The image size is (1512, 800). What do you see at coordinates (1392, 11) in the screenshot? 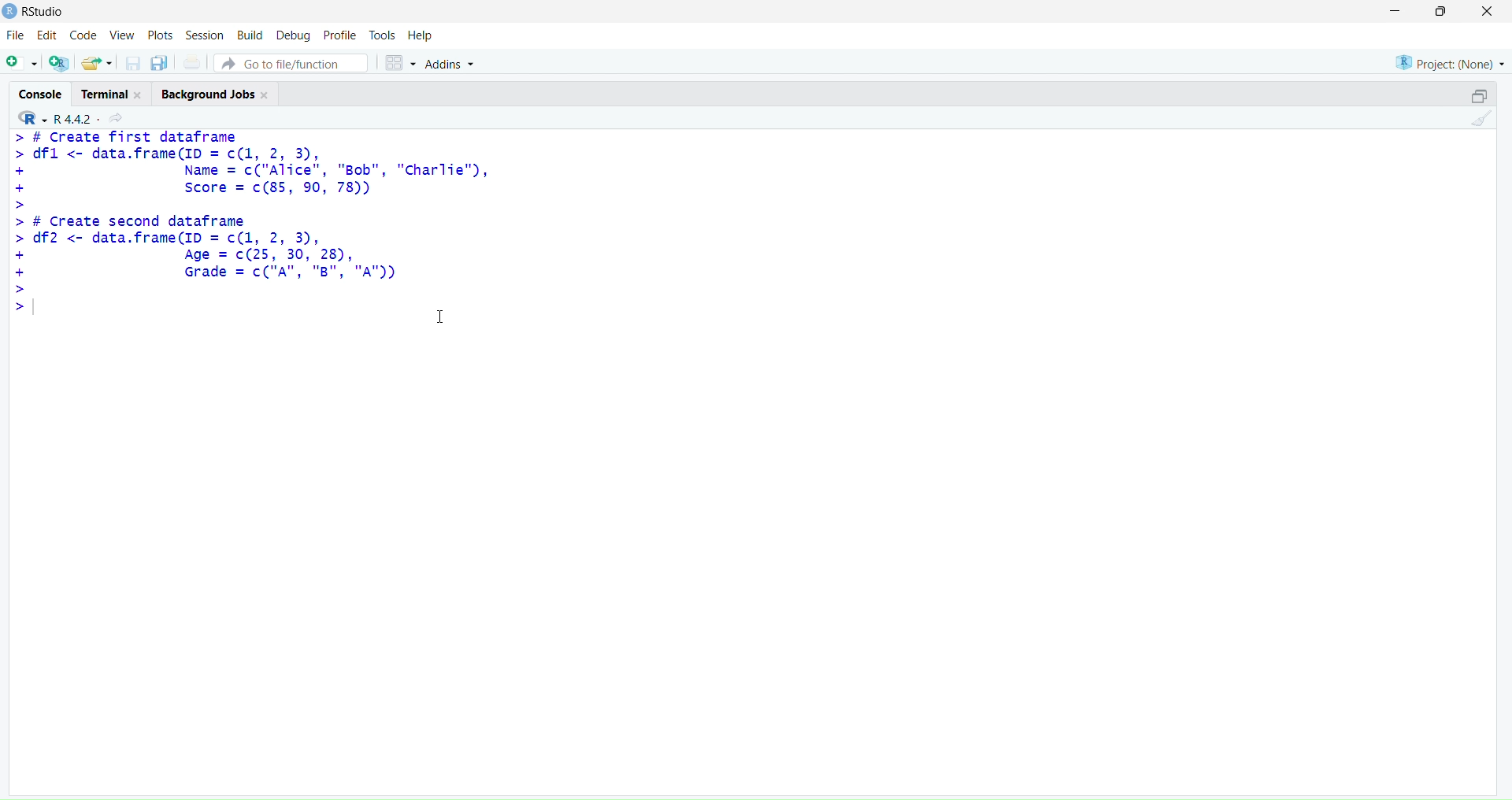
I see `minimize` at bounding box center [1392, 11].